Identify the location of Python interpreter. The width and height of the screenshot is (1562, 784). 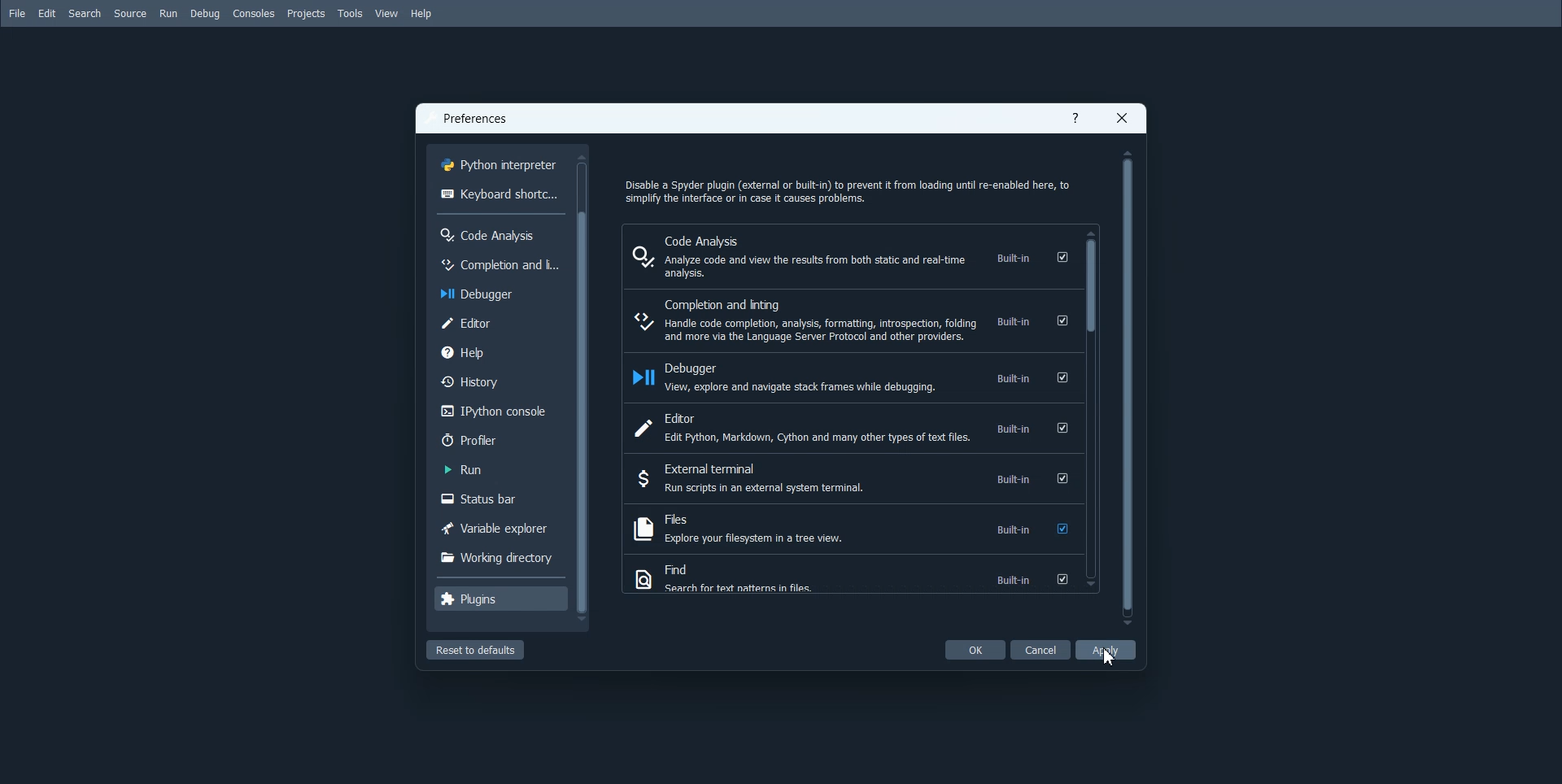
(500, 163).